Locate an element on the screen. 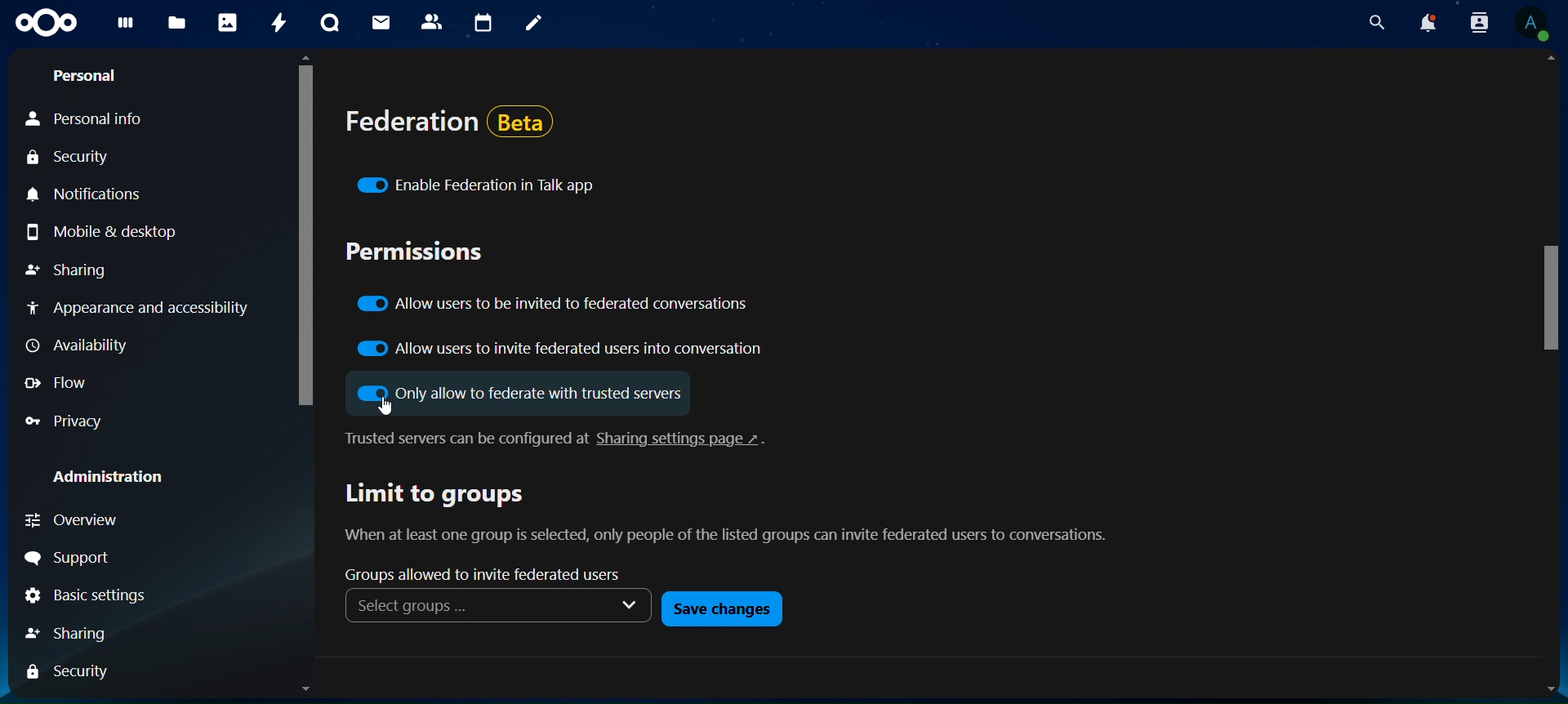  security is located at coordinates (67, 158).